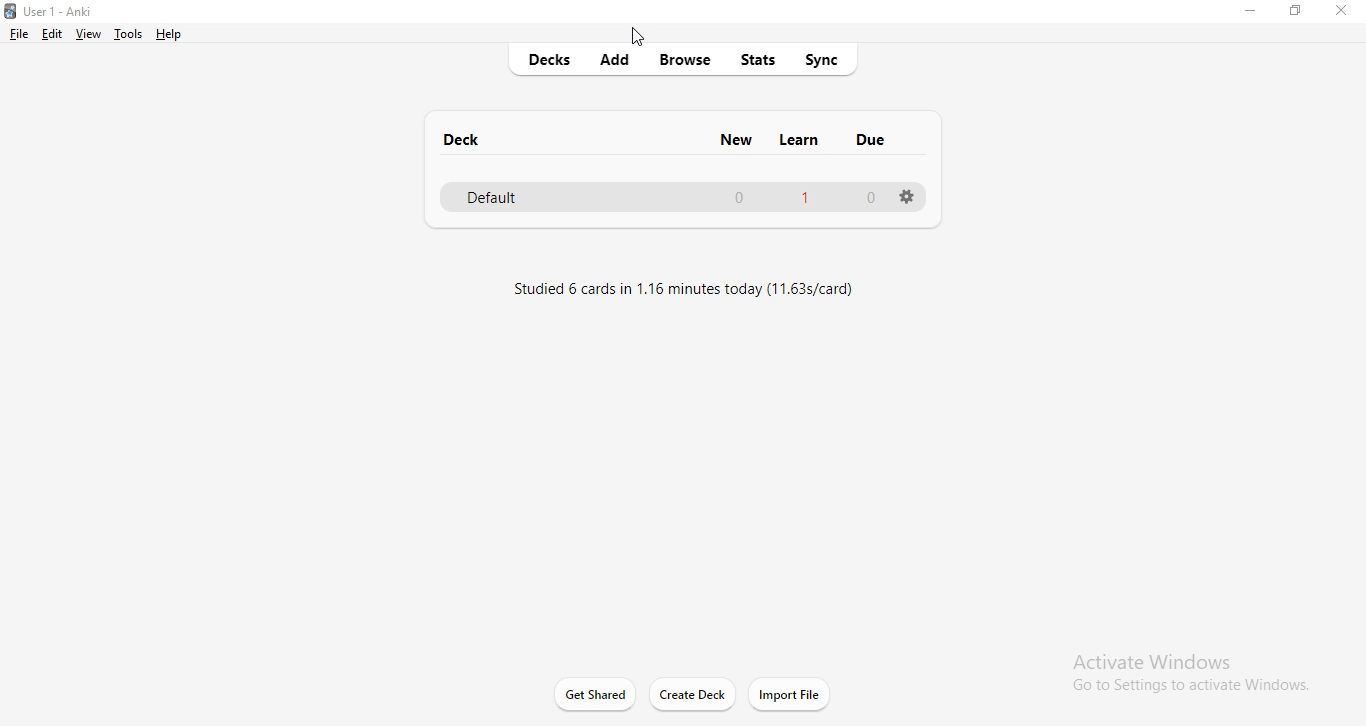 Image resolution: width=1366 pixels, height=726 pixels. I want to click on help, so click(170, 35).